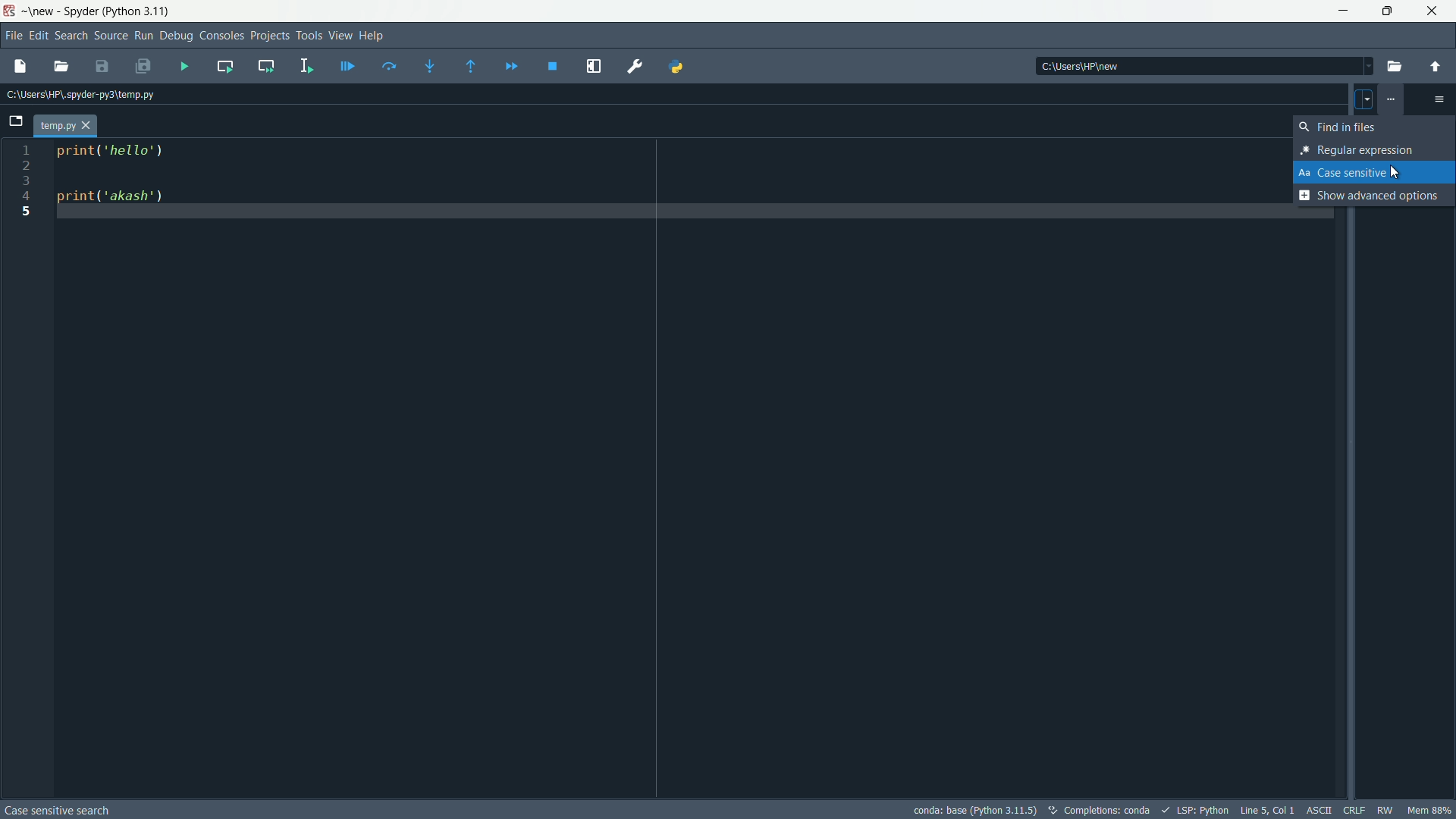 The width and height of the screenshot is (1456, 819). Describe the element at coordinates (1397, 172) in the screenshot. I see `cursor` at that location.